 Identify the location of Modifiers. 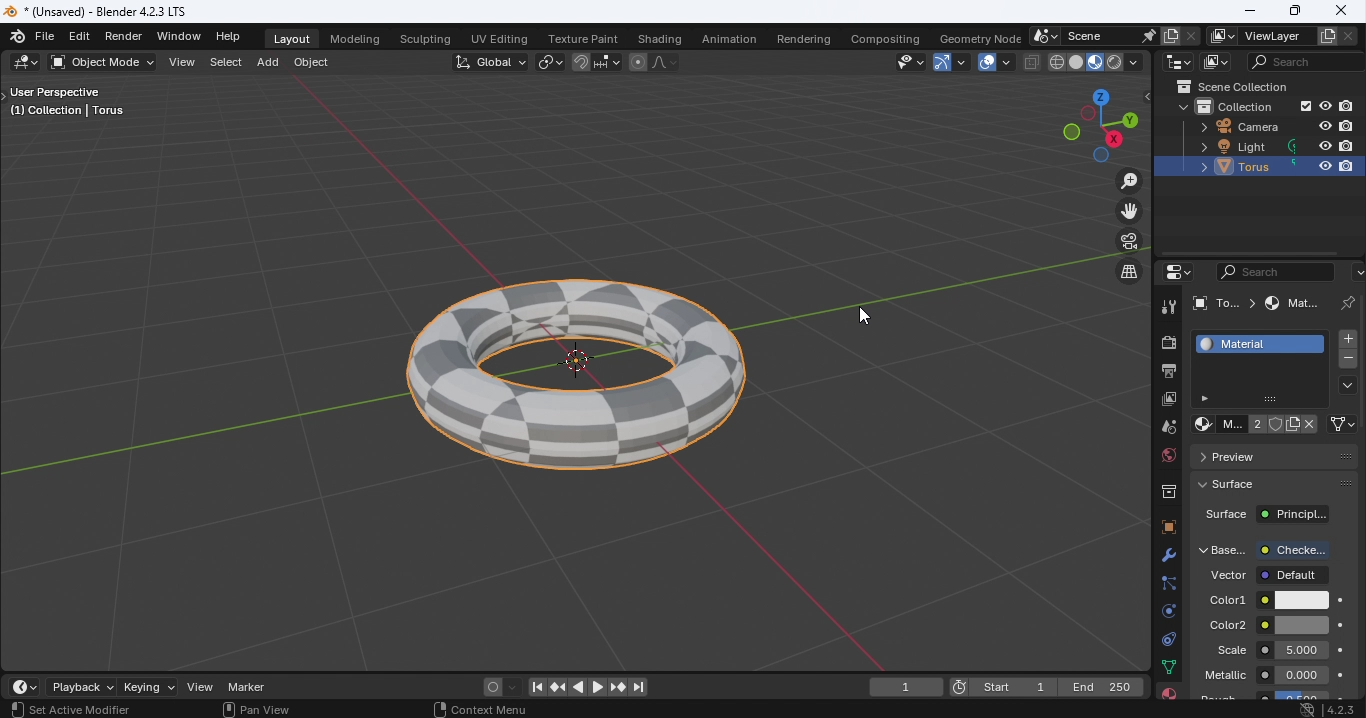
(1170, 555).